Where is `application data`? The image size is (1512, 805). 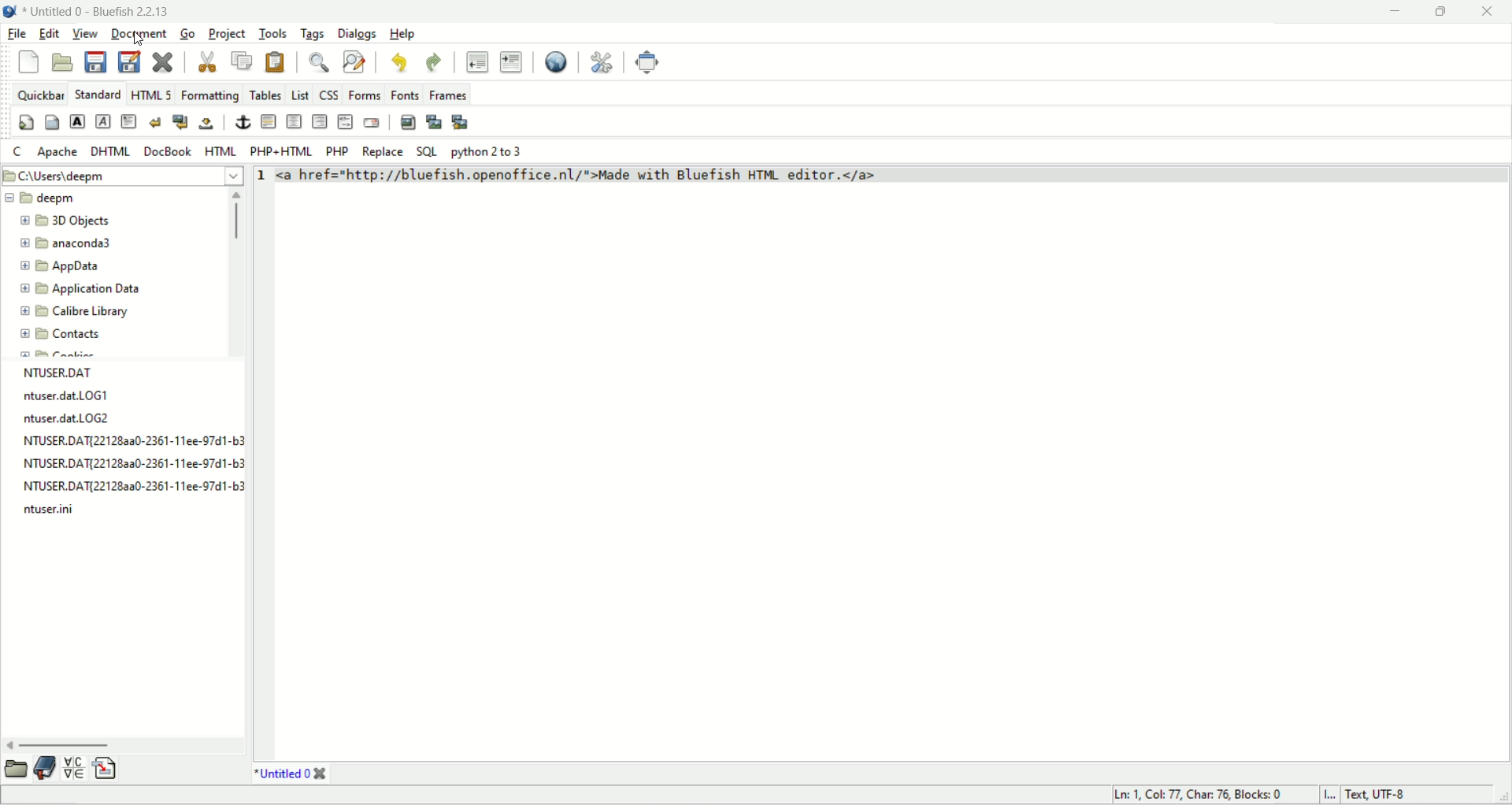
application data is located at coordinates (83, 289).